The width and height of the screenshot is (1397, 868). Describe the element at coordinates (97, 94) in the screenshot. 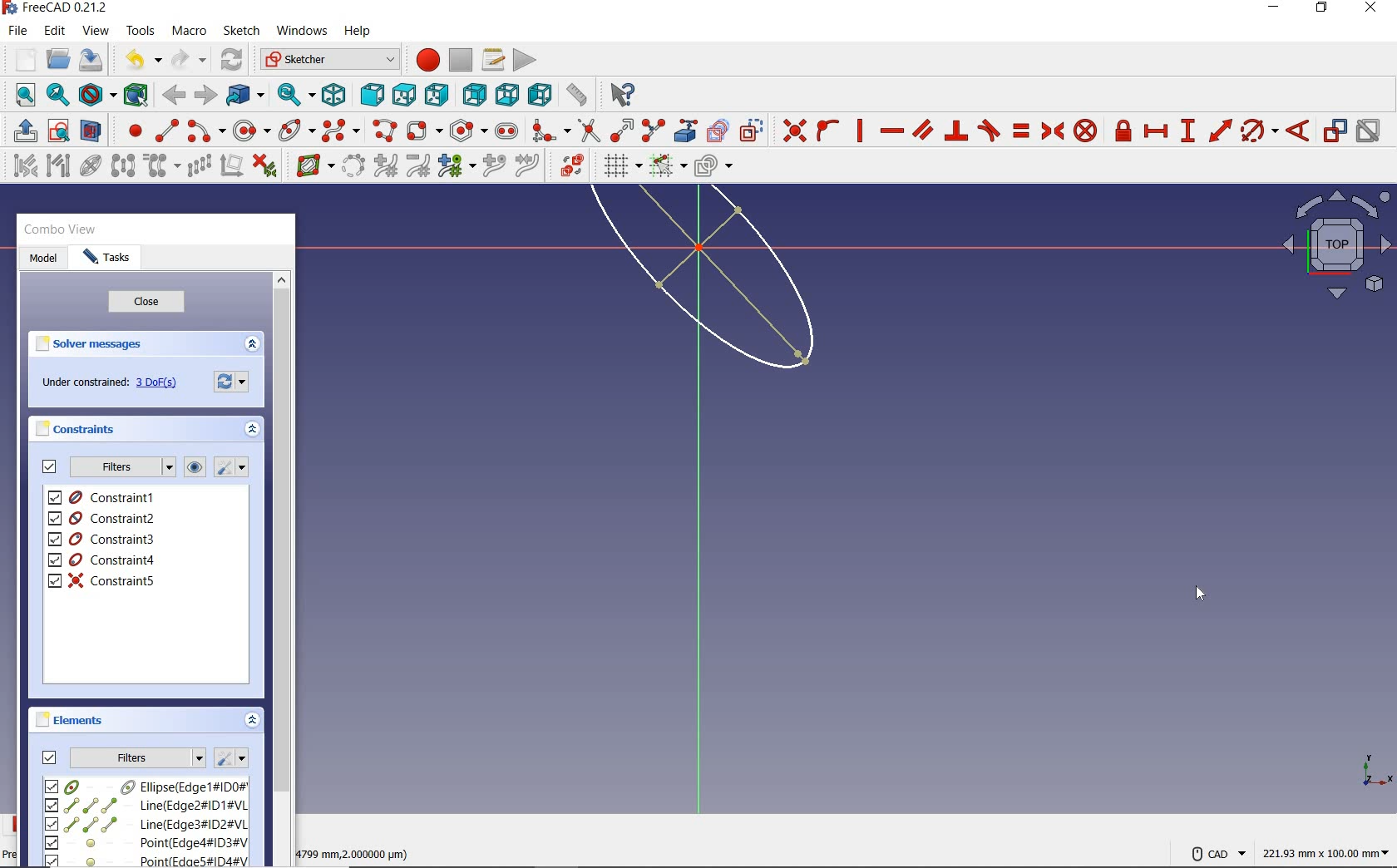

I see `draw style` at that location.